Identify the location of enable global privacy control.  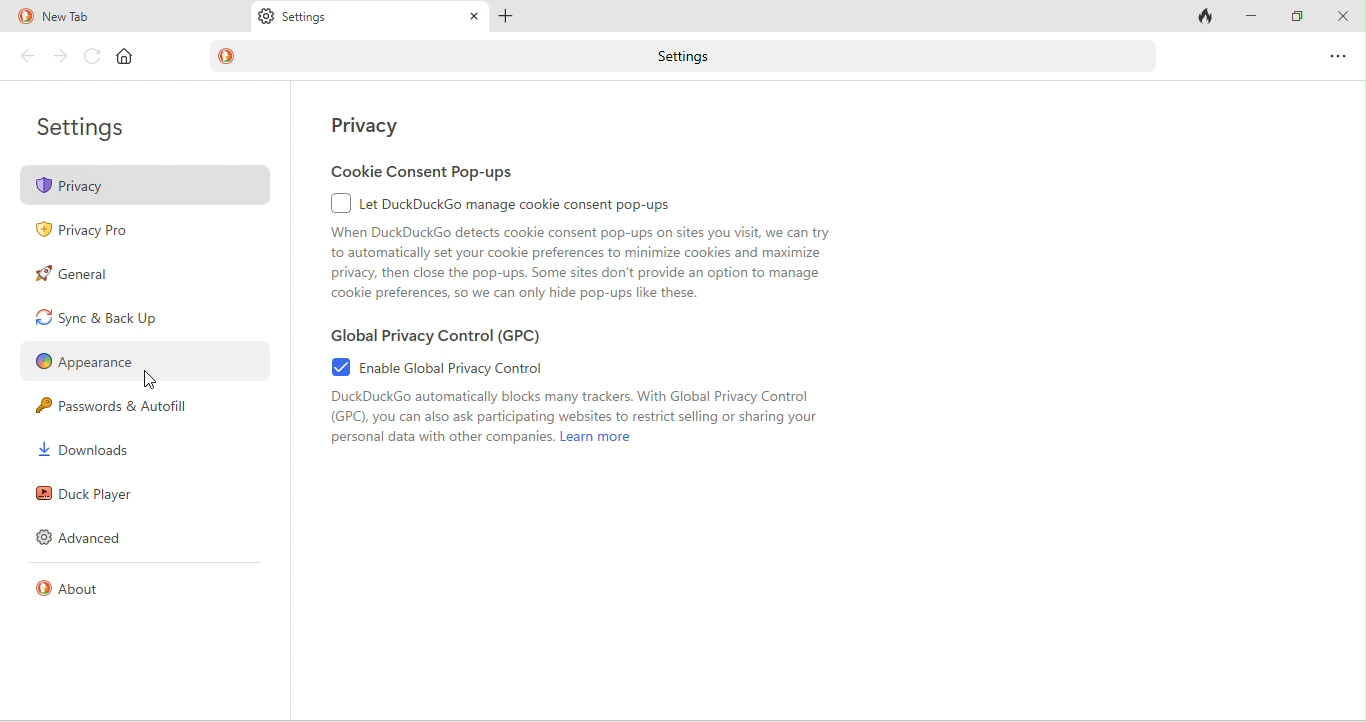
(480, 367).